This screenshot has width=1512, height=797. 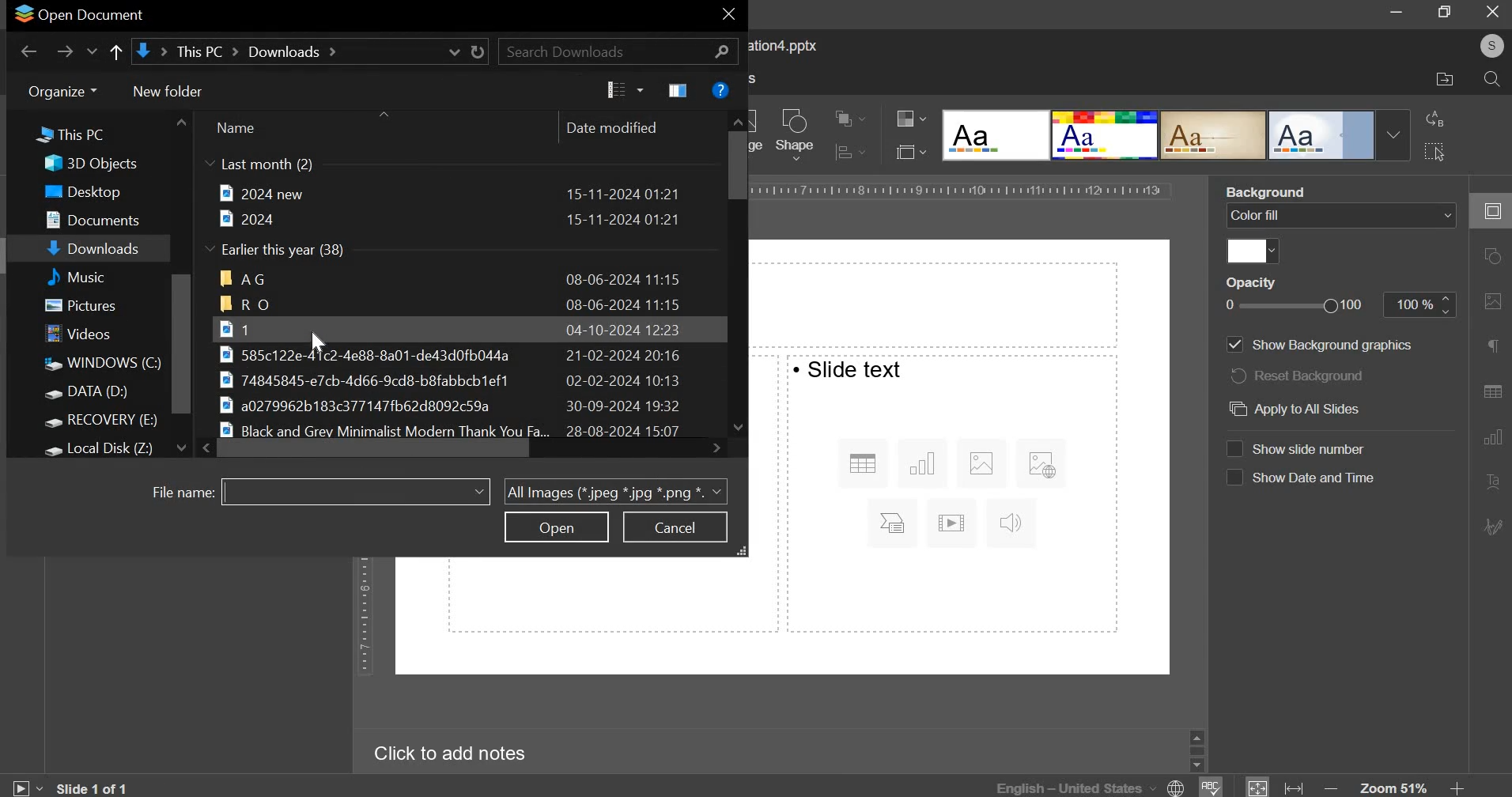 What do you see at coordinates (29, 51) in the screenshot?
I see `back` at bounding box center [29, 51].